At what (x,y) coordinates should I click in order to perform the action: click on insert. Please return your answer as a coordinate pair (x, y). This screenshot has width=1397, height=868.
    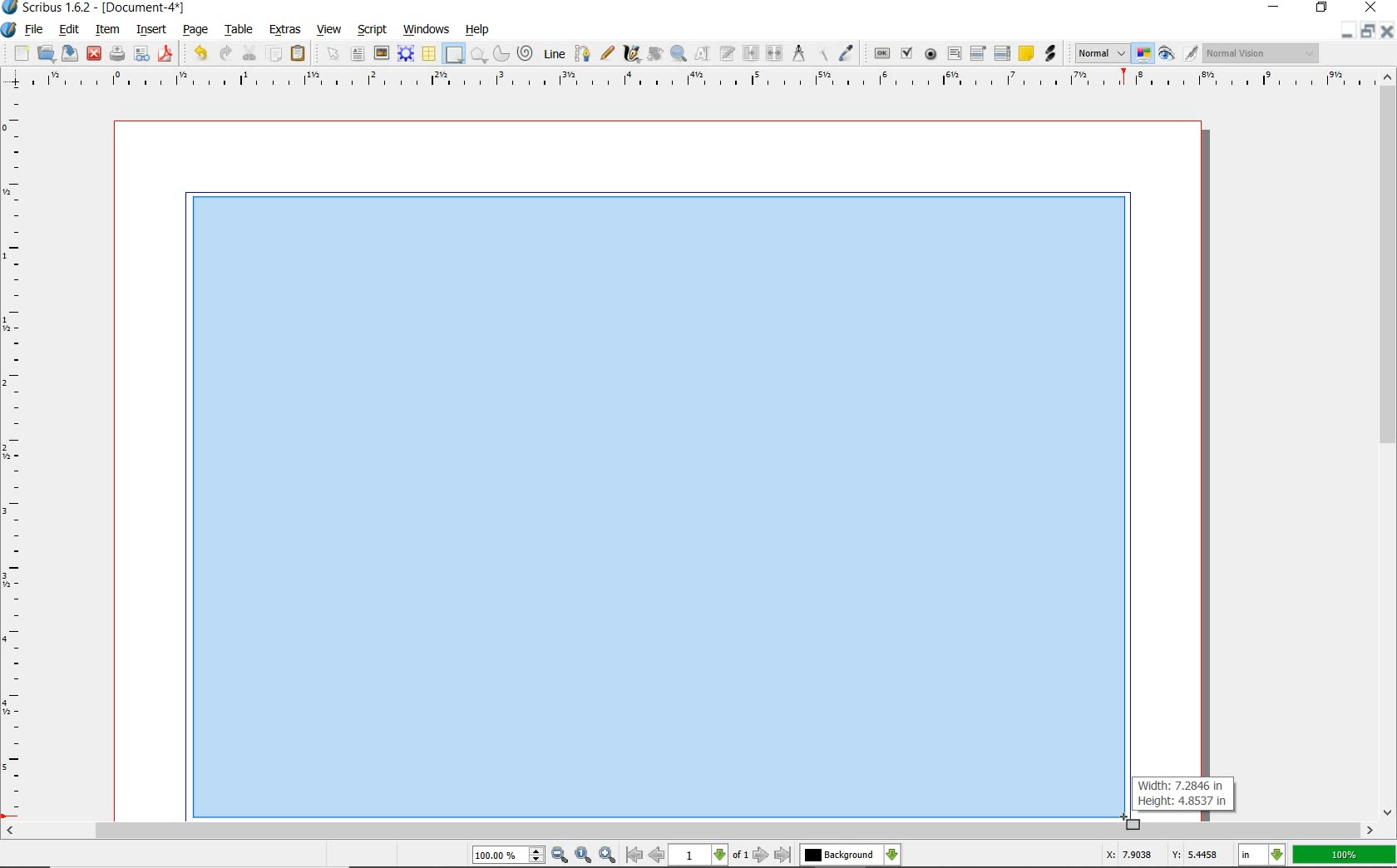
    Looking at the image, I should click on (151, 29).